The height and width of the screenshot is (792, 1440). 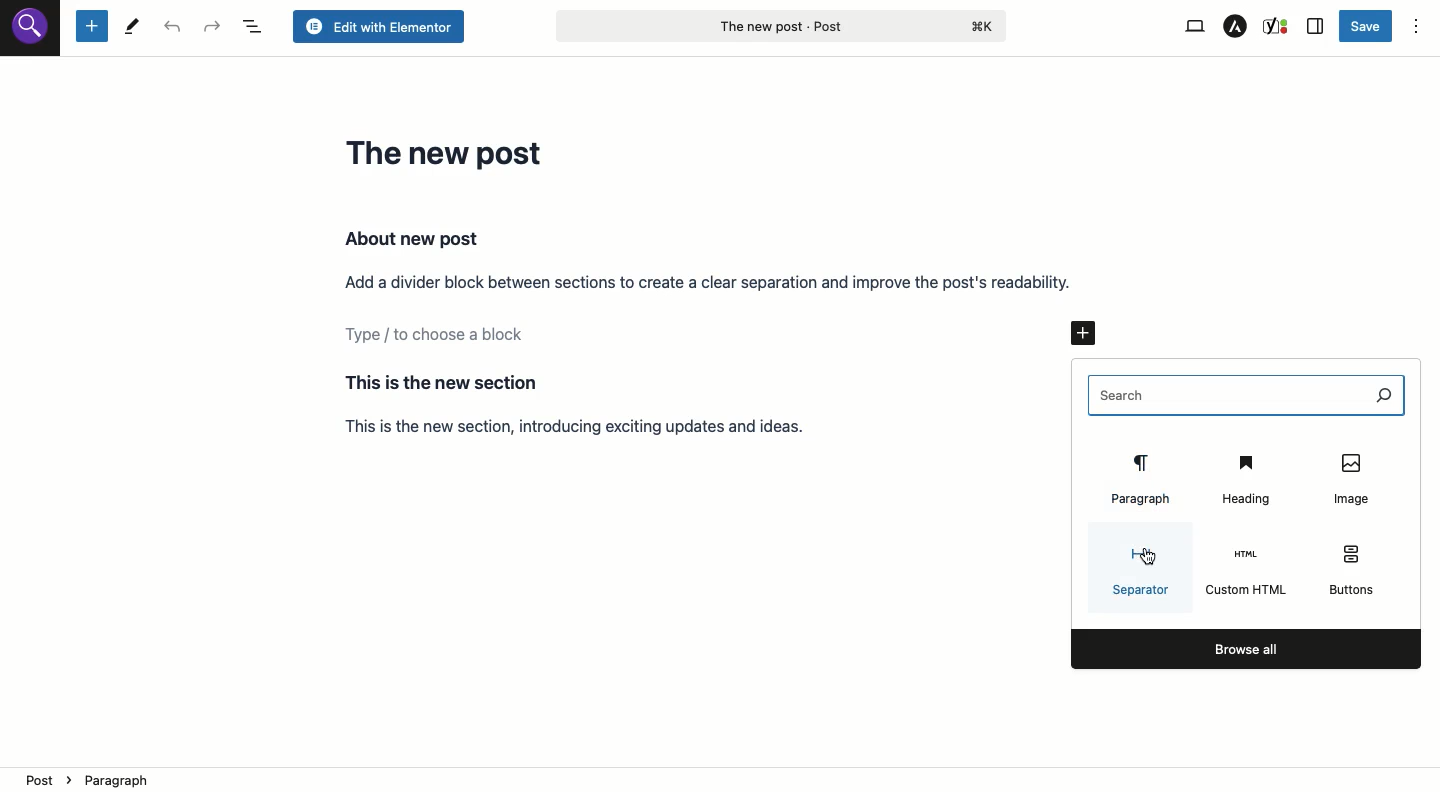 What do you see at coordinates (1247, 396) in the screenshot?
I see `Search` at bounding box center [1247, 396].